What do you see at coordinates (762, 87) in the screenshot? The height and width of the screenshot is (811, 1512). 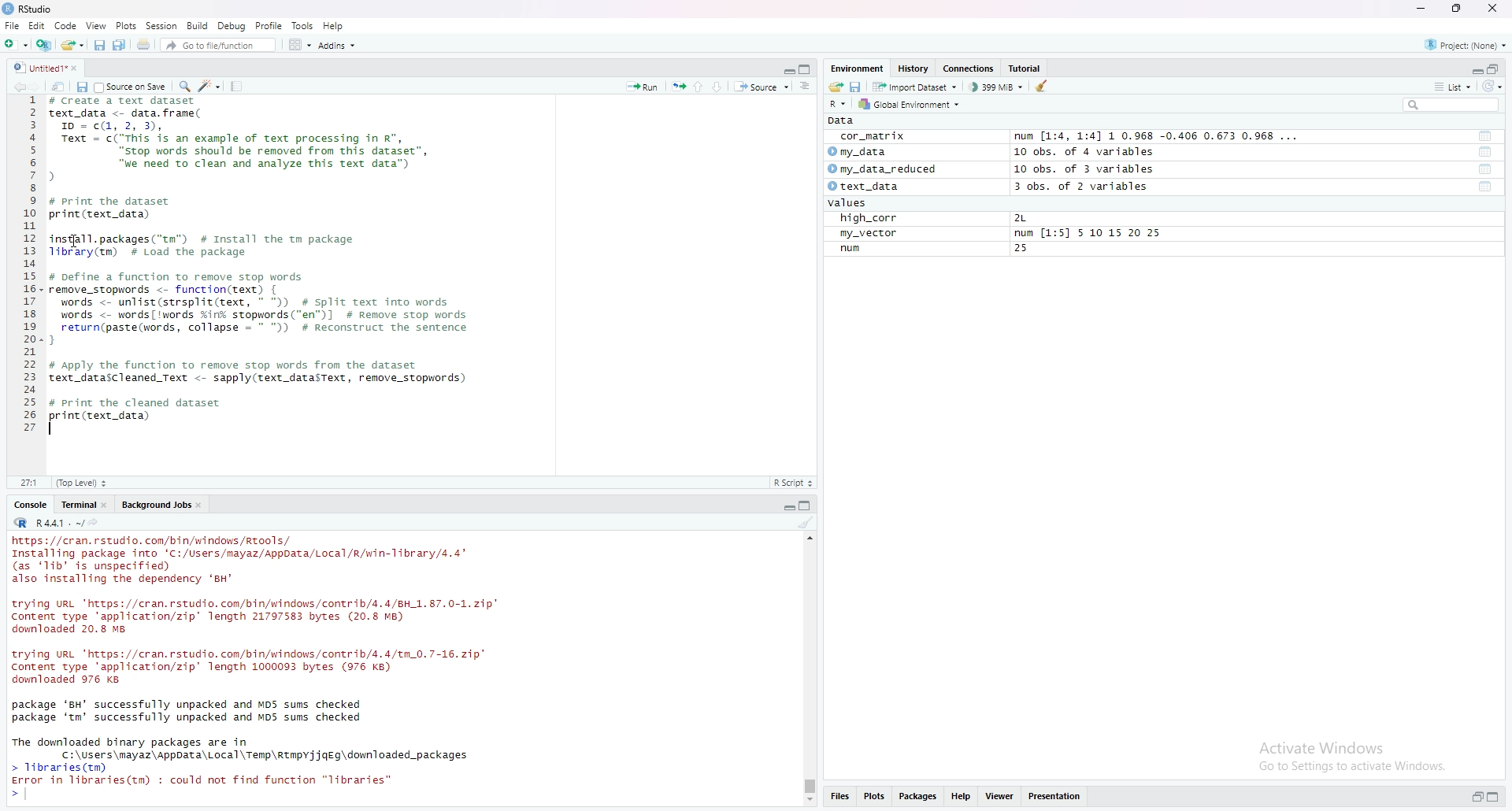 I see `source` at bounding box center [762, 87].